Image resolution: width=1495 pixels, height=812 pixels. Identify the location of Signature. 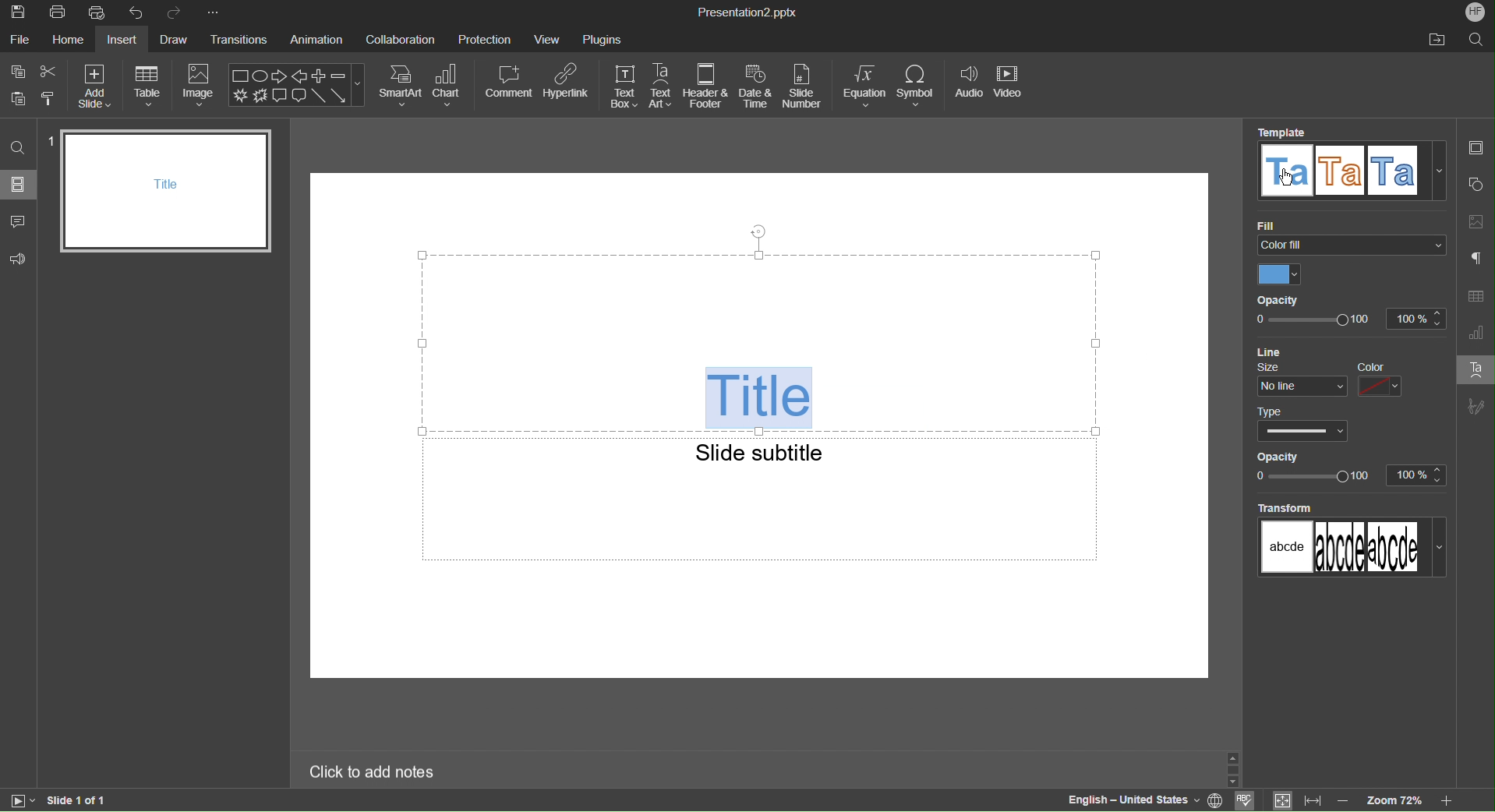
(1476, 404).